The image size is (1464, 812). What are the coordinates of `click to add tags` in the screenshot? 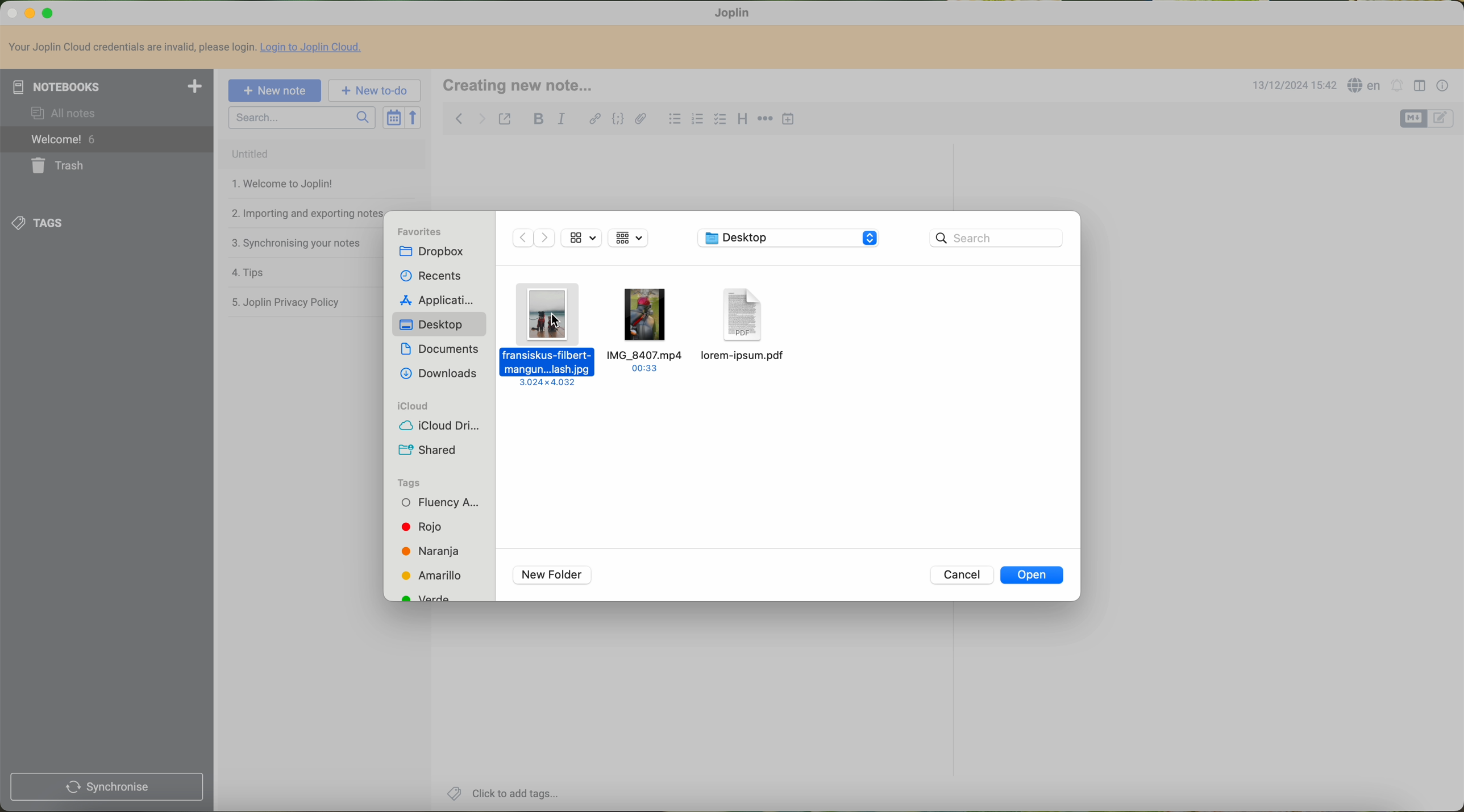 It's located at (505, 793).